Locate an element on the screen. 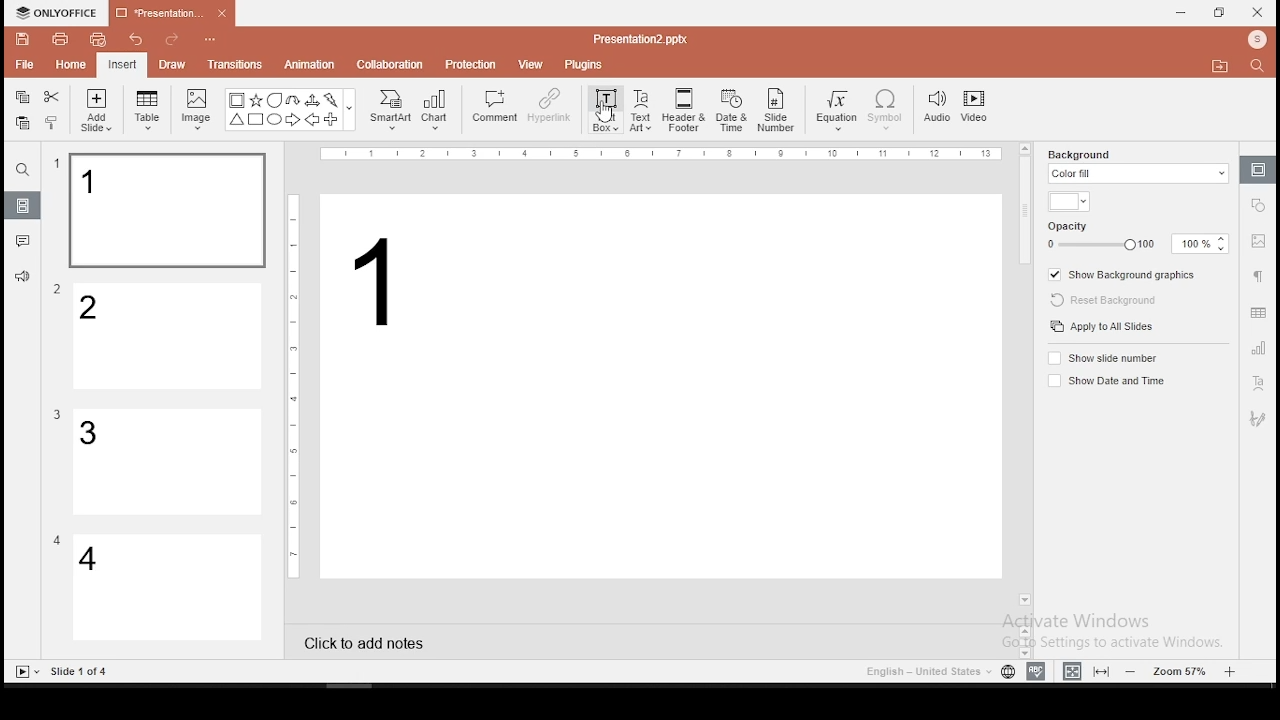 The image size is (1280, 720). image is located at coordinates (198, 109).